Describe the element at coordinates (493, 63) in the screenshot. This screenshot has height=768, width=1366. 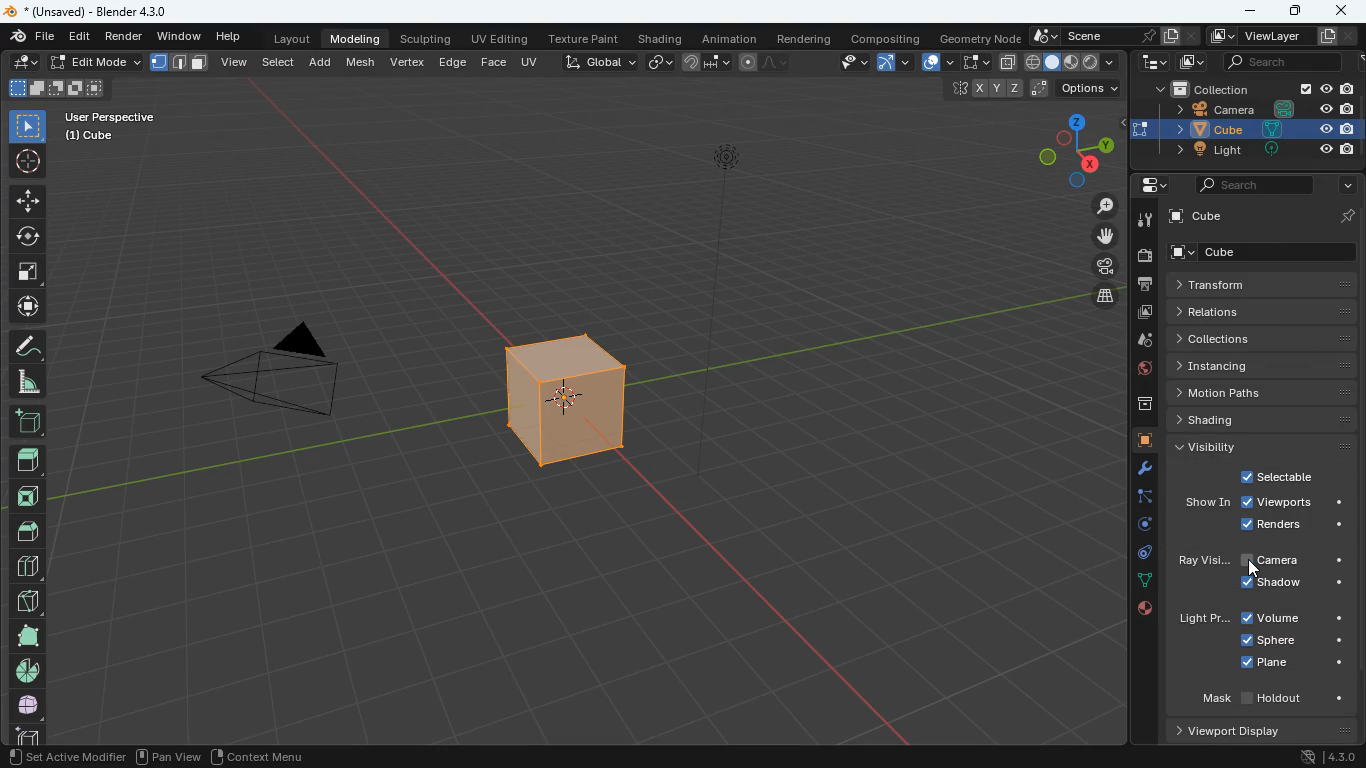
I see `face` at that location.